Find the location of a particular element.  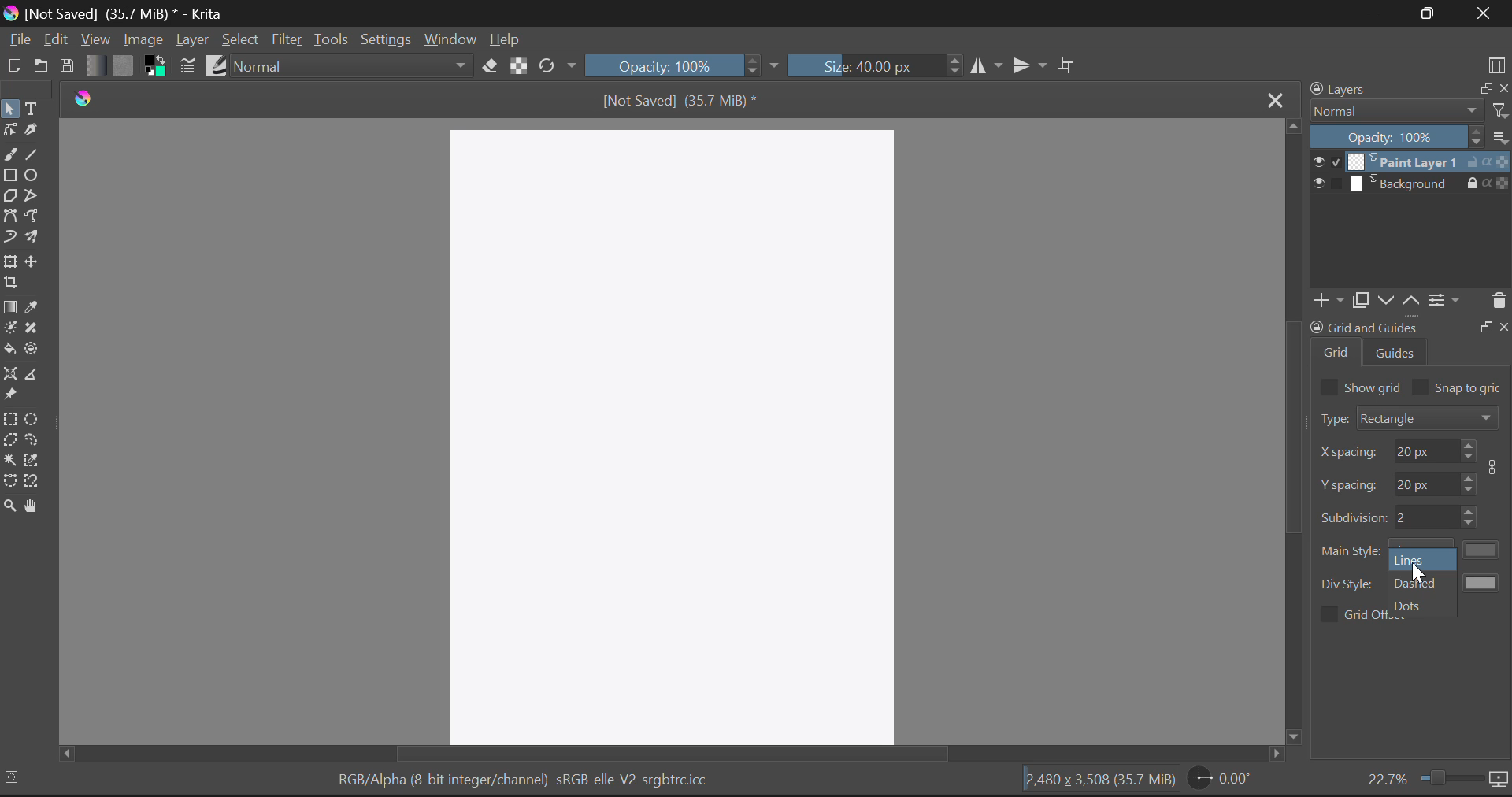

[Not Saved] (35.7 MiB) * is located at coordinates (681, 100).